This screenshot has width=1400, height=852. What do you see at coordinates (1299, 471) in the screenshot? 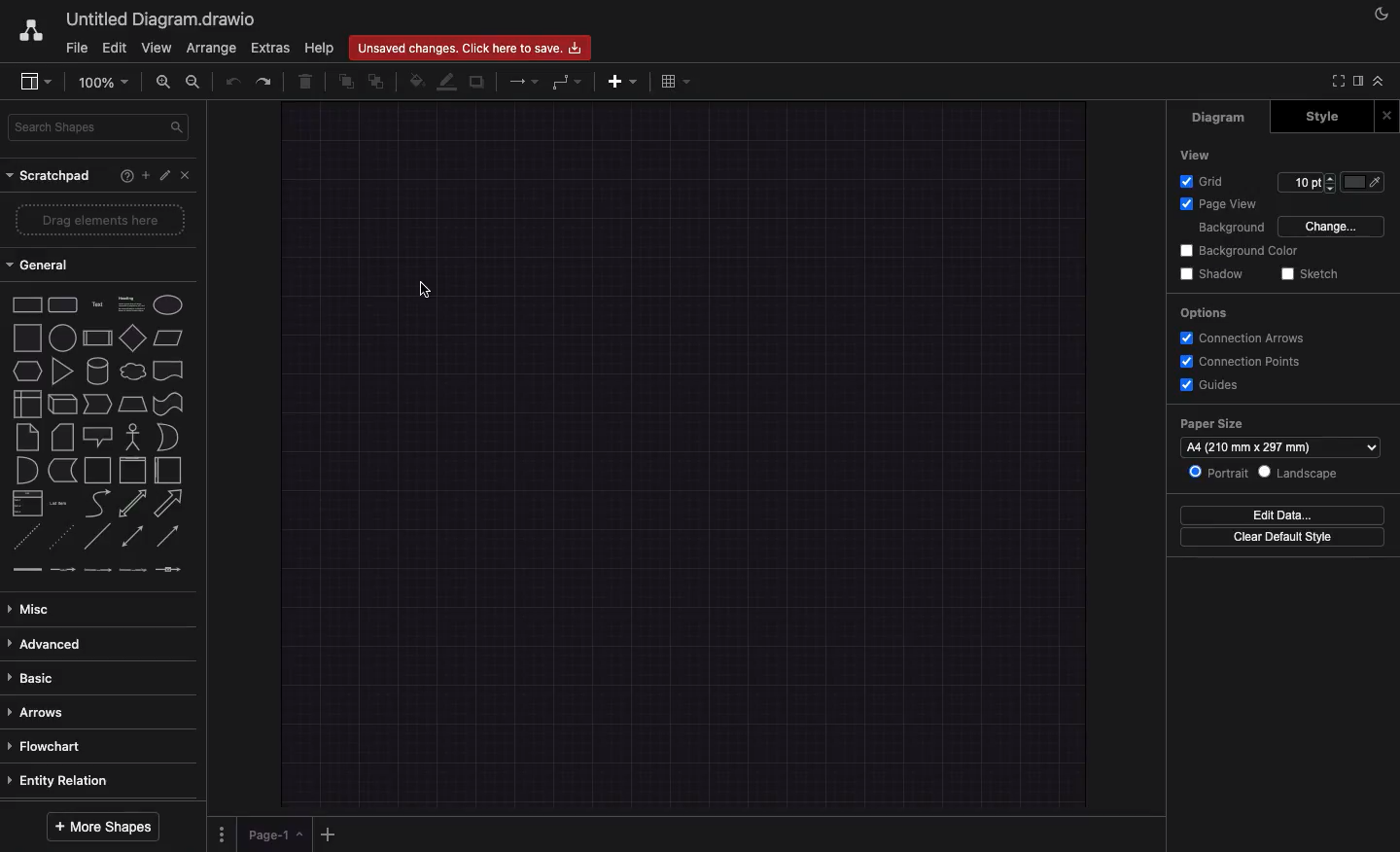
I see `Landscape` at bounding box center [1299, 471].